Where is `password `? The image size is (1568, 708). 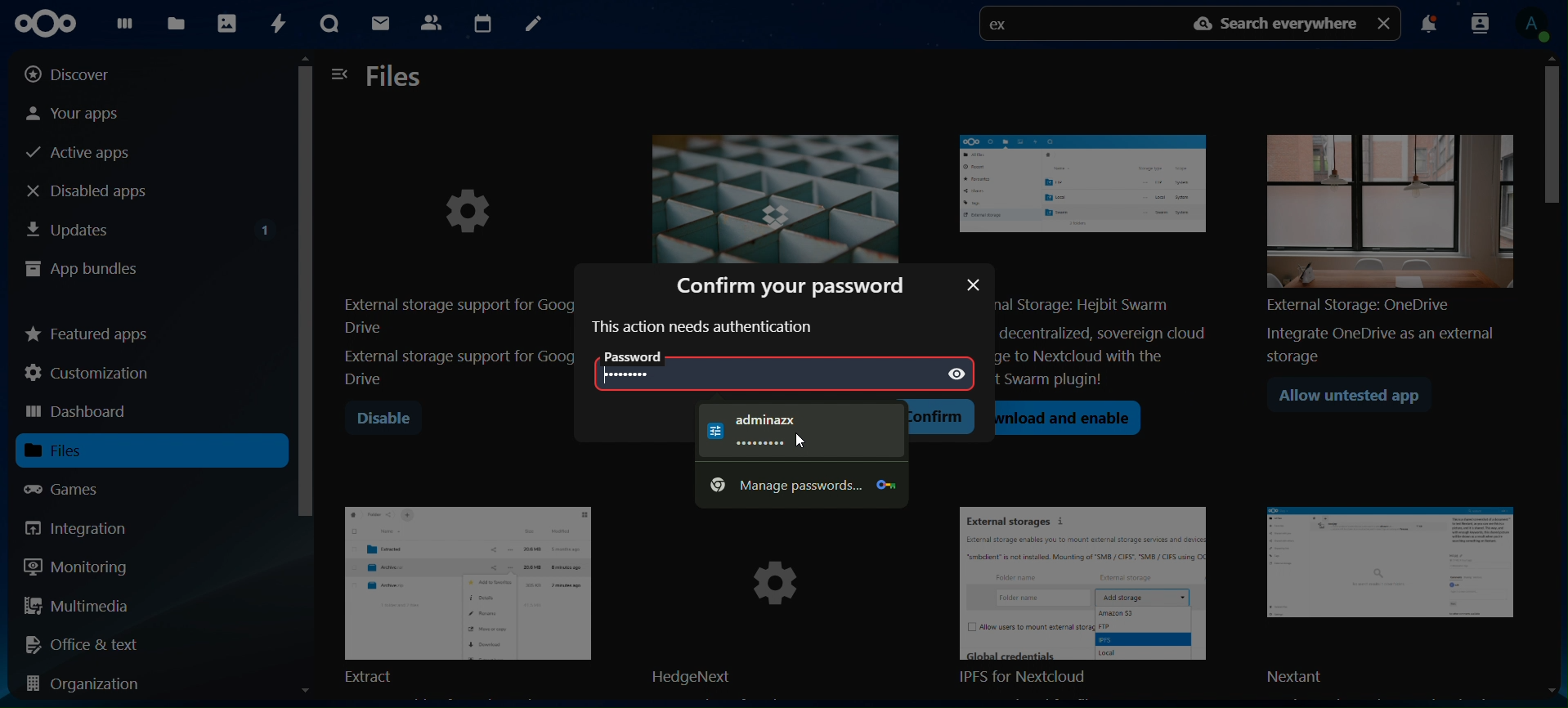
password  is located at coordinates (635, 375).